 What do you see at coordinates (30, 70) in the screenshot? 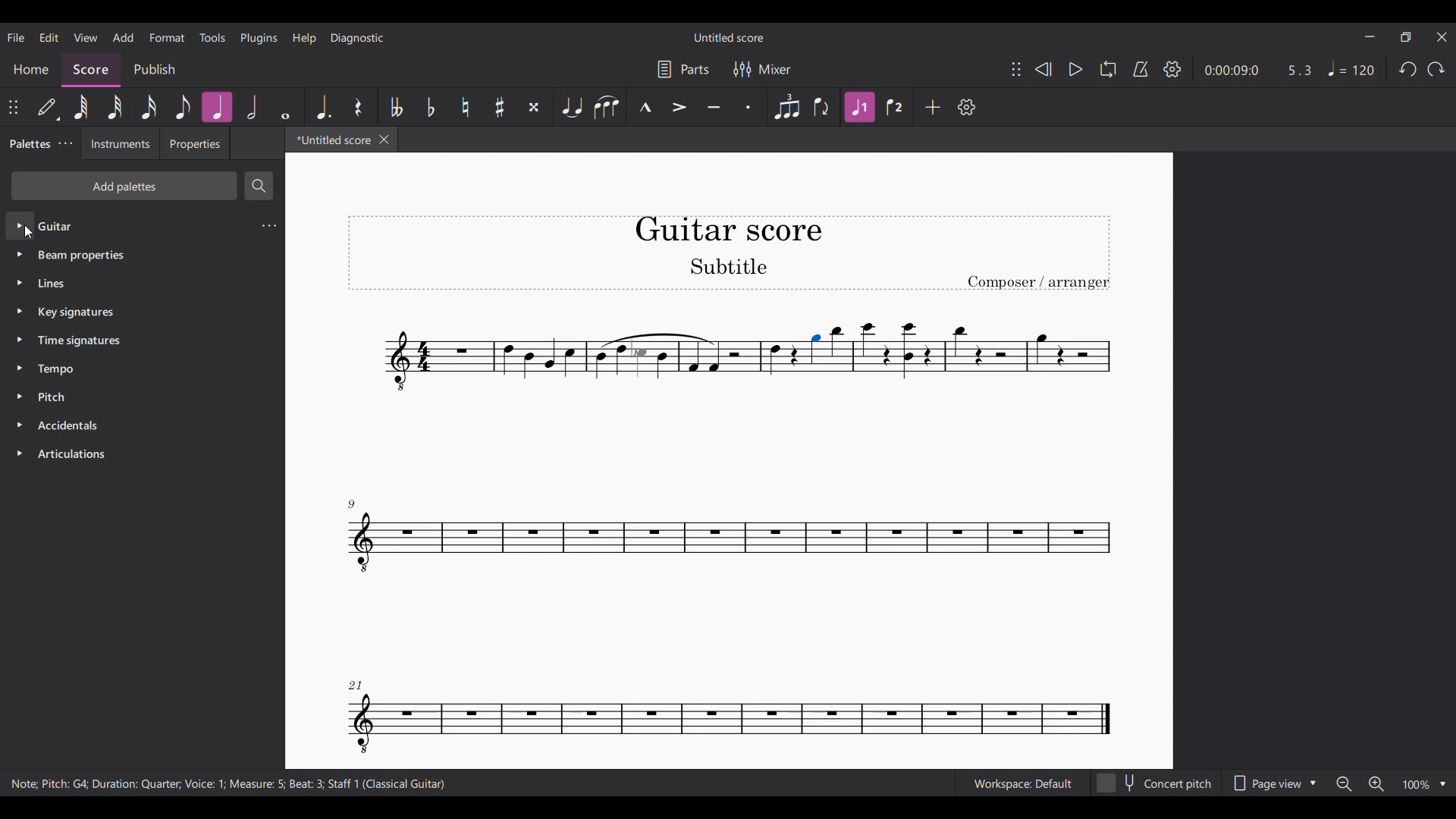
I see `Home` at bounding box center [30, 70].